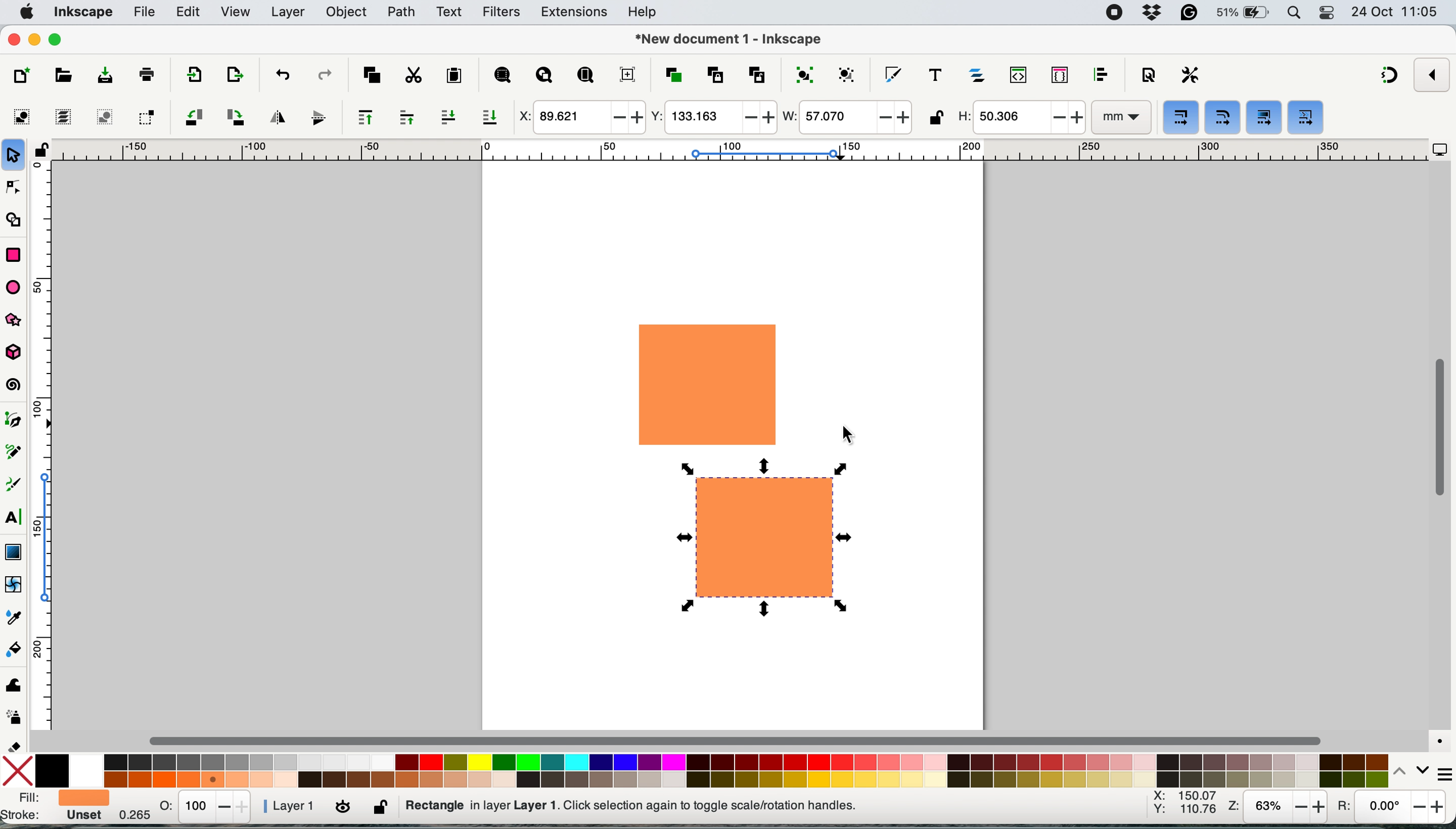  I want to click on file, so click(143, 13).